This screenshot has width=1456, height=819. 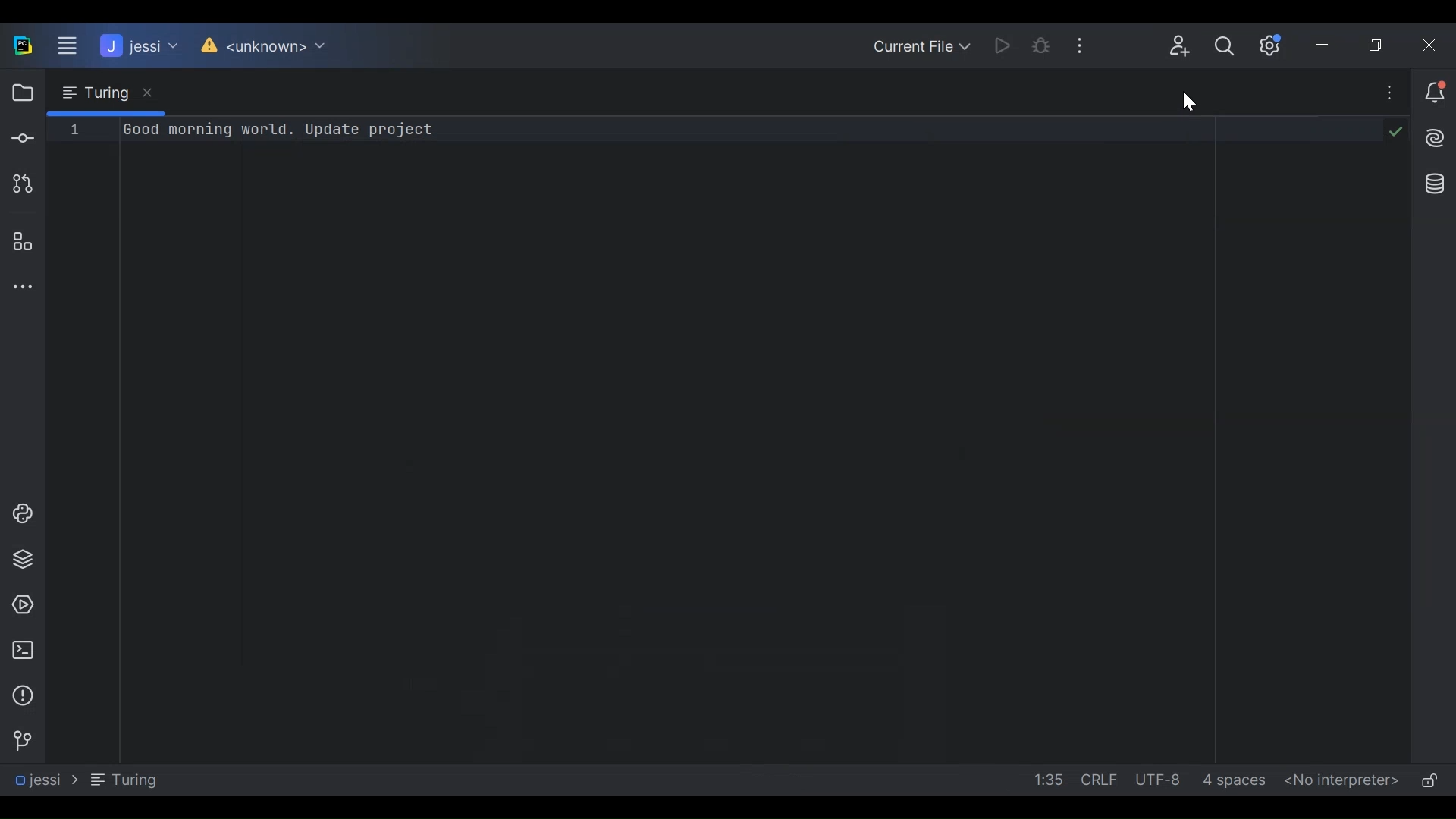 What do you see at coordinates (1391, 91) in the screenshot?
I see `more` at bounding box center [1391, 91].